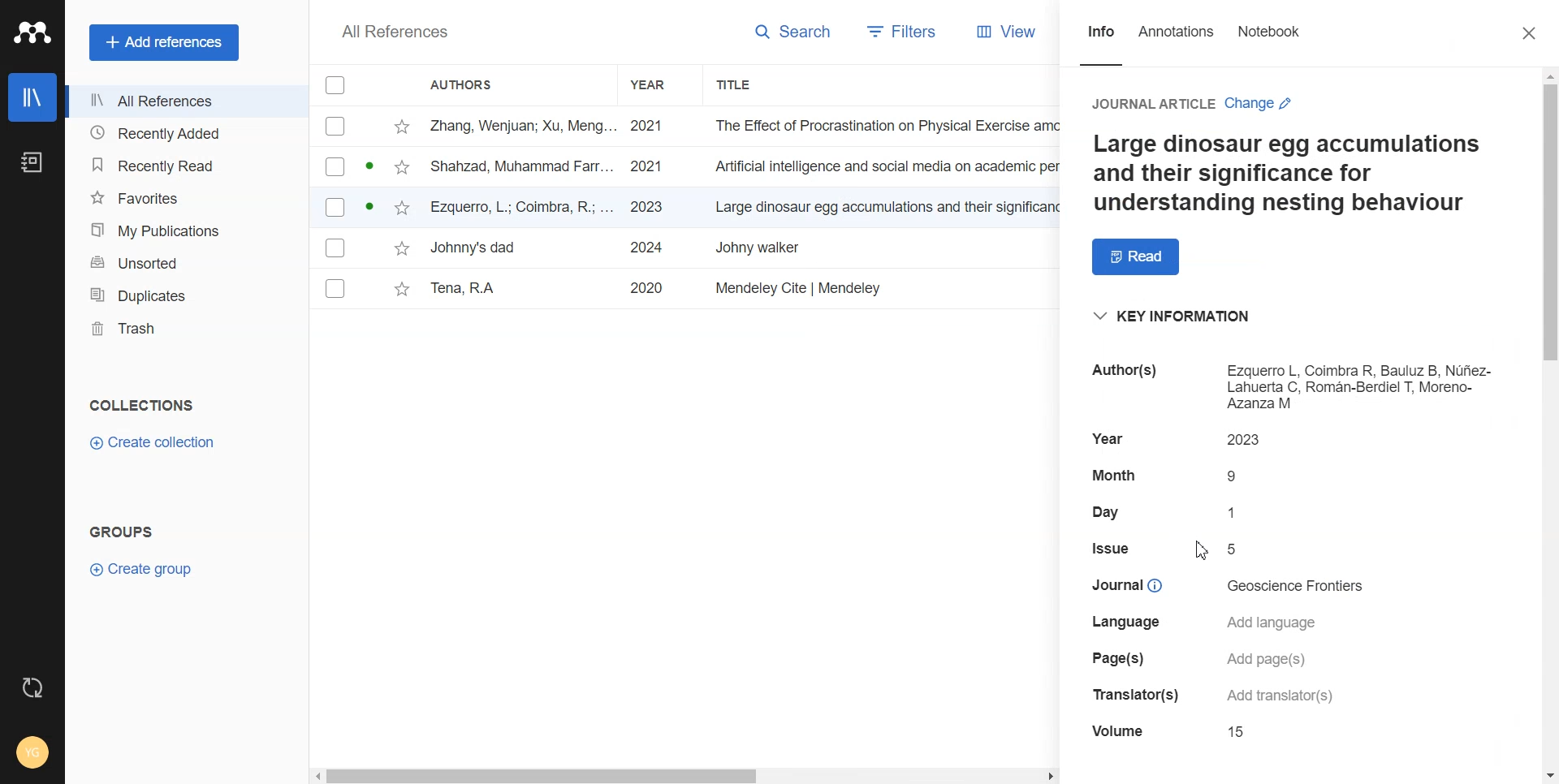 Image resolution: width=1559 pixels, height=784 pixels. I want to click on Cursor, so click(1201, 552).